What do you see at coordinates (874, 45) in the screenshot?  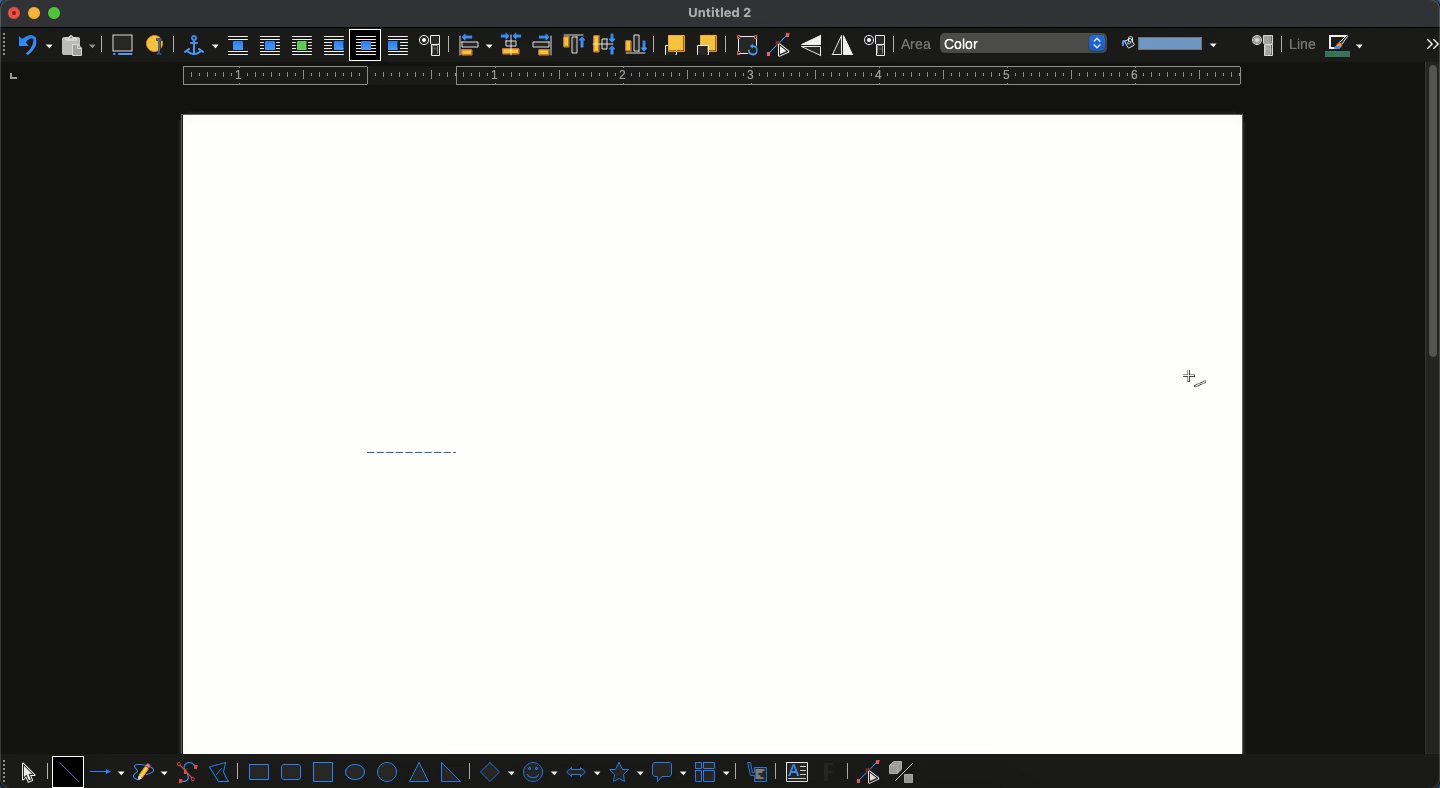 I see `position and size` at bounding box center [874, 45].